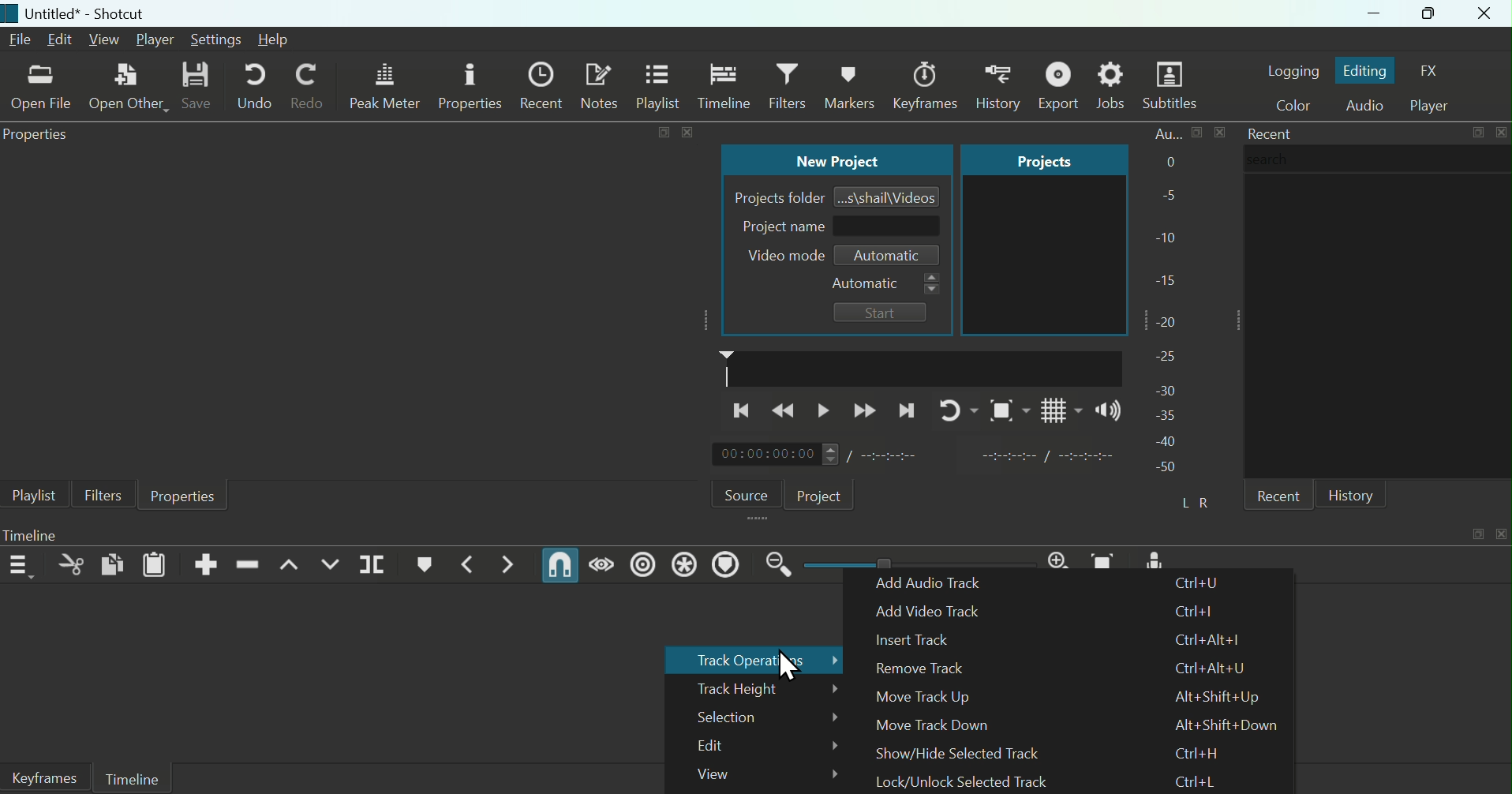 This screenshot has height=794, width=1512. Describe the element at coordinates (1167, 441) in the screenshot. I see `-40` at that location.